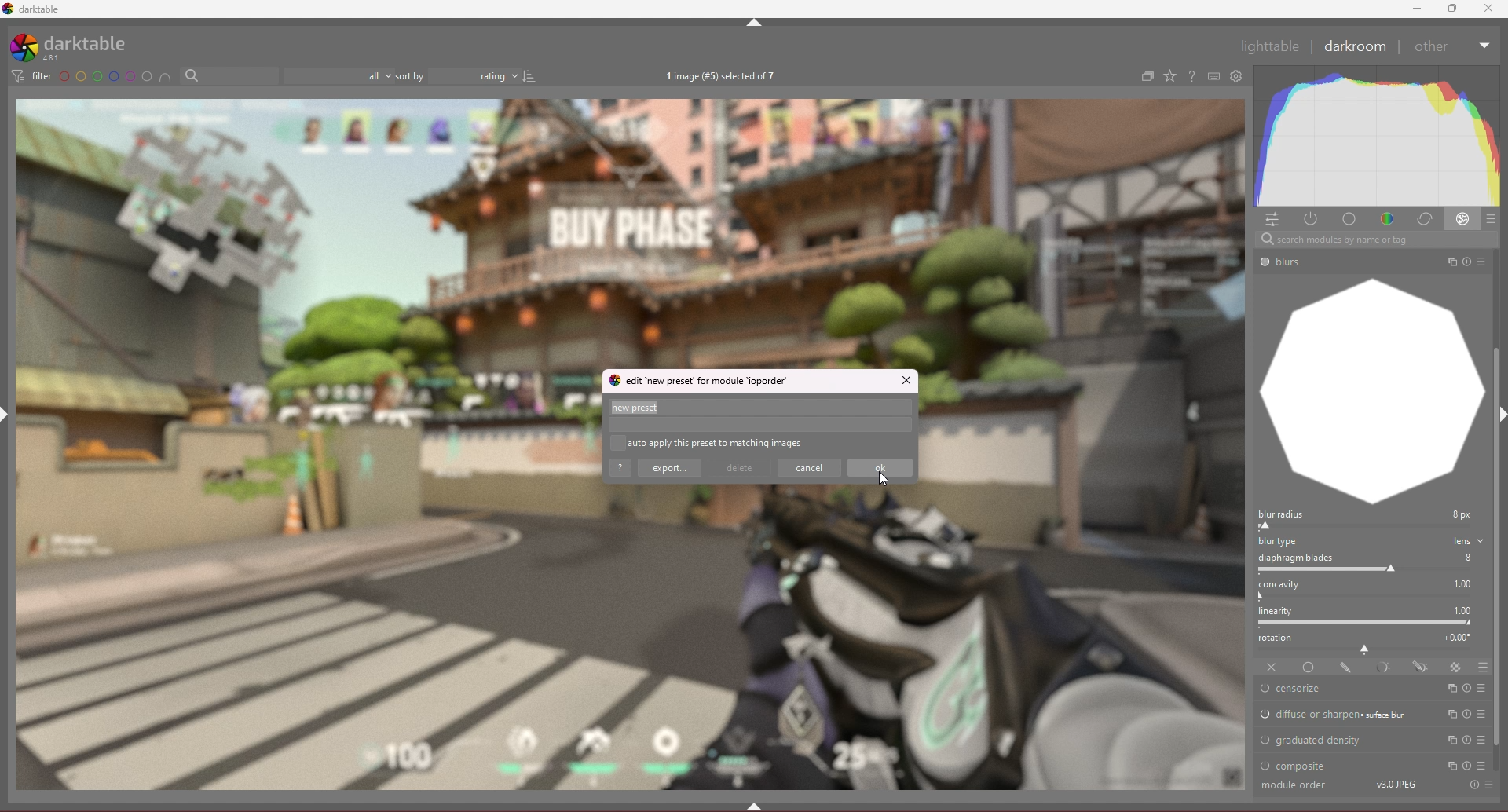 The height and width of the screenshot is (812, 1508). I want to click on graduated density, so click(1314, 739).